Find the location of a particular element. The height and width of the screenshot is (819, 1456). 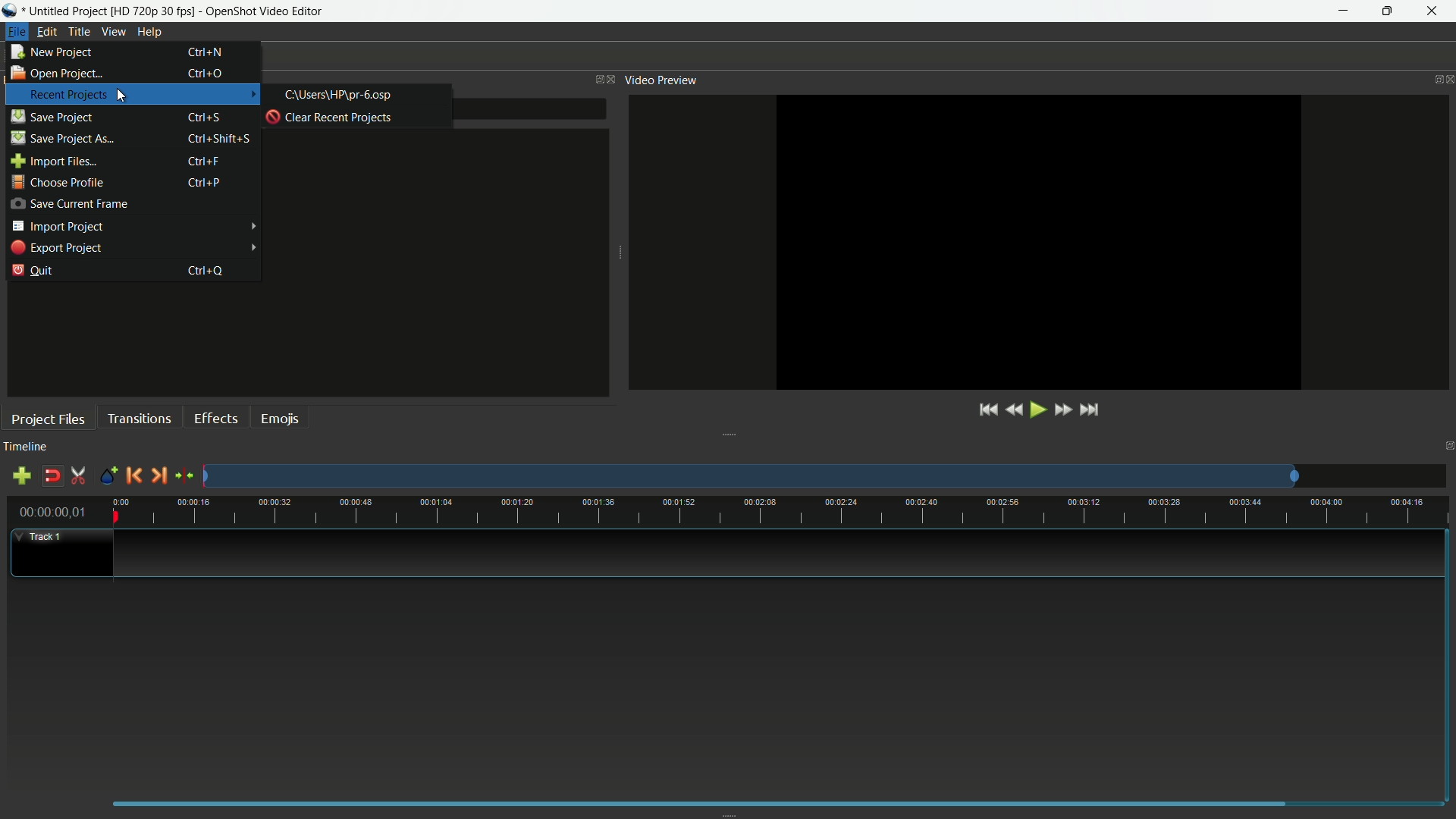

Help is located at coordinates (151, 32).